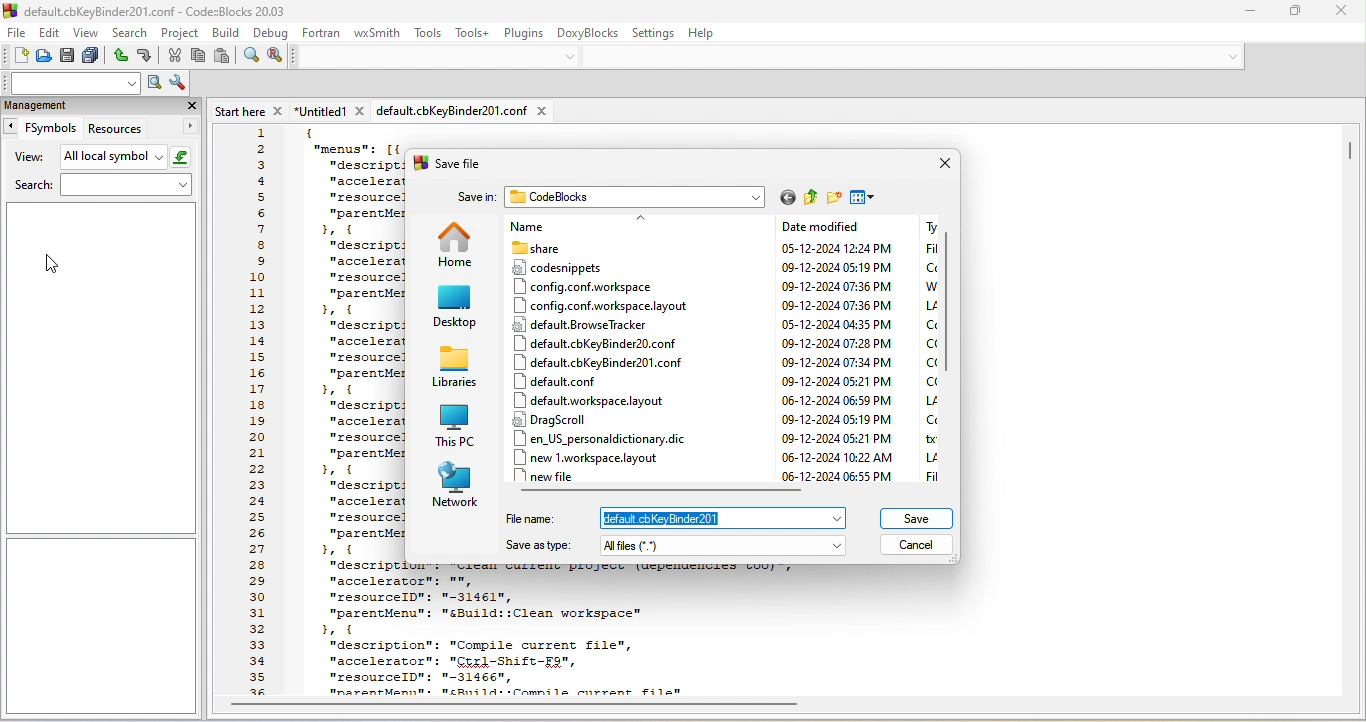 This screenshot has width=1366, height=722. What do you see at coordinates (587, 286) in the screenshot?
I see `config conf workspace` at bounding box center [587, 286].